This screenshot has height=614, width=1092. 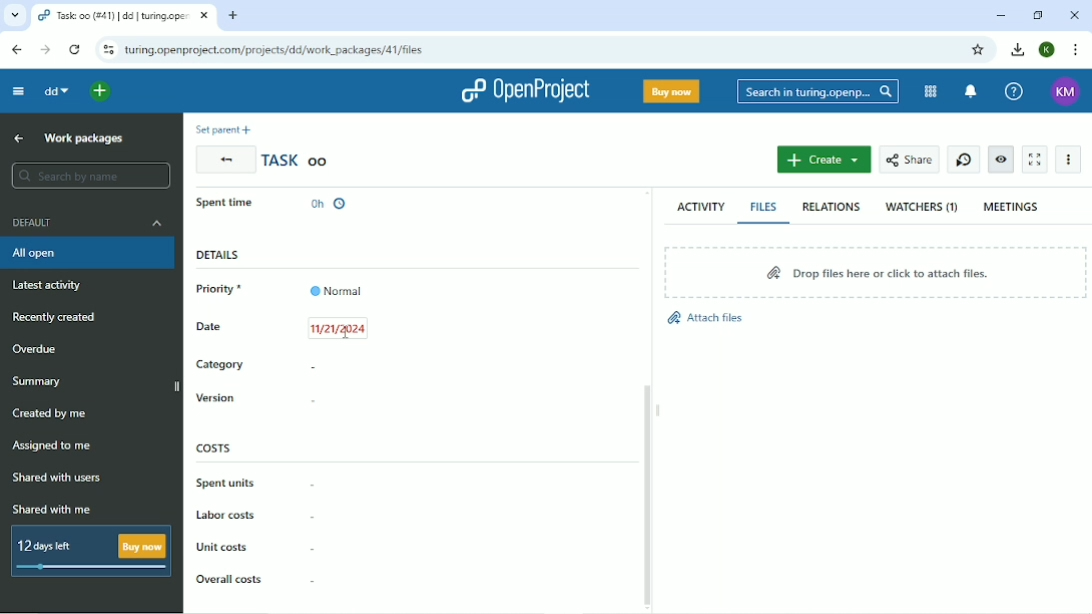 I want to click on Create, so click(x=823, y=160).